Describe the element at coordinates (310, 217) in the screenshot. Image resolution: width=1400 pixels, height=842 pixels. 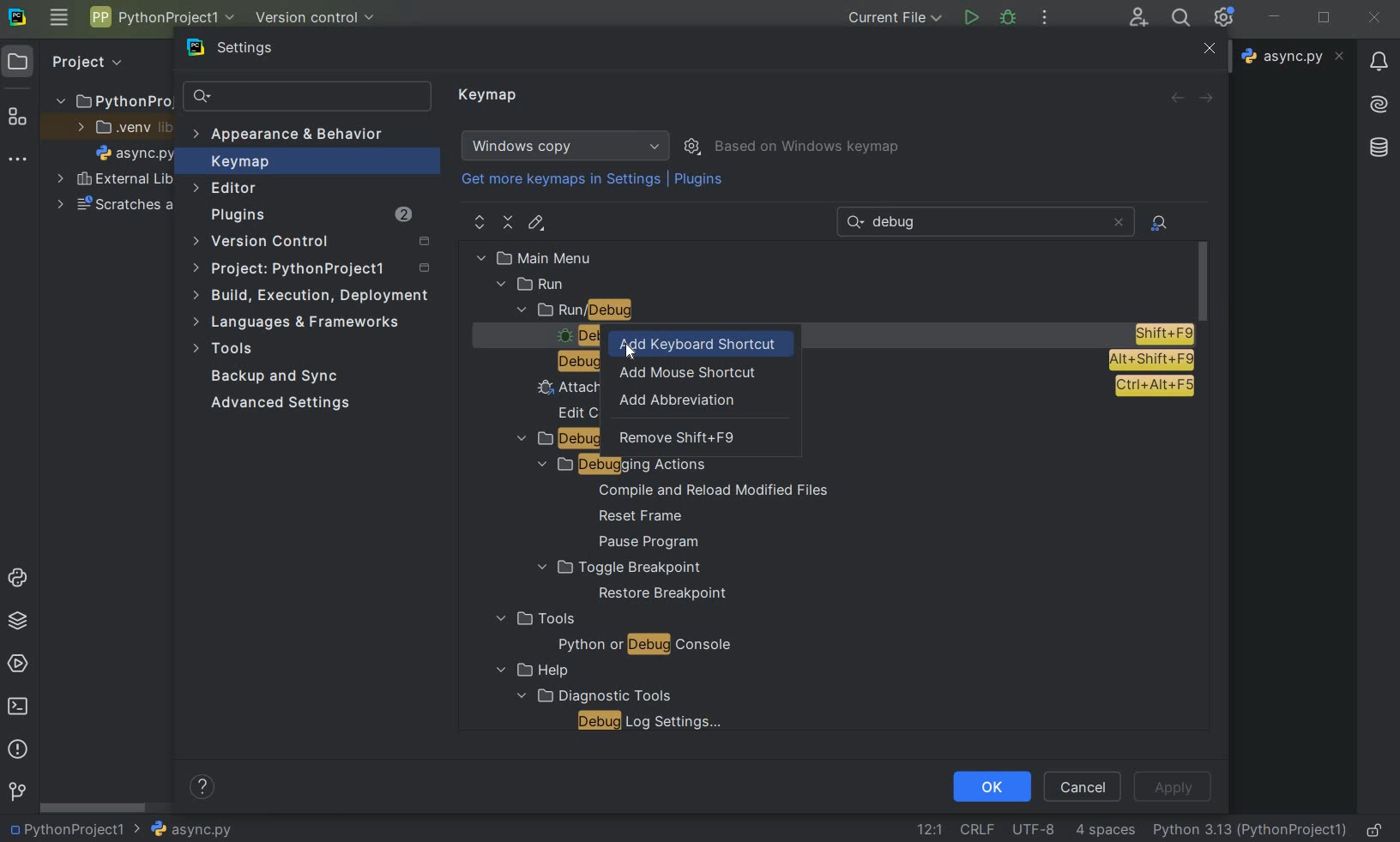
I see `plugins` at that location.